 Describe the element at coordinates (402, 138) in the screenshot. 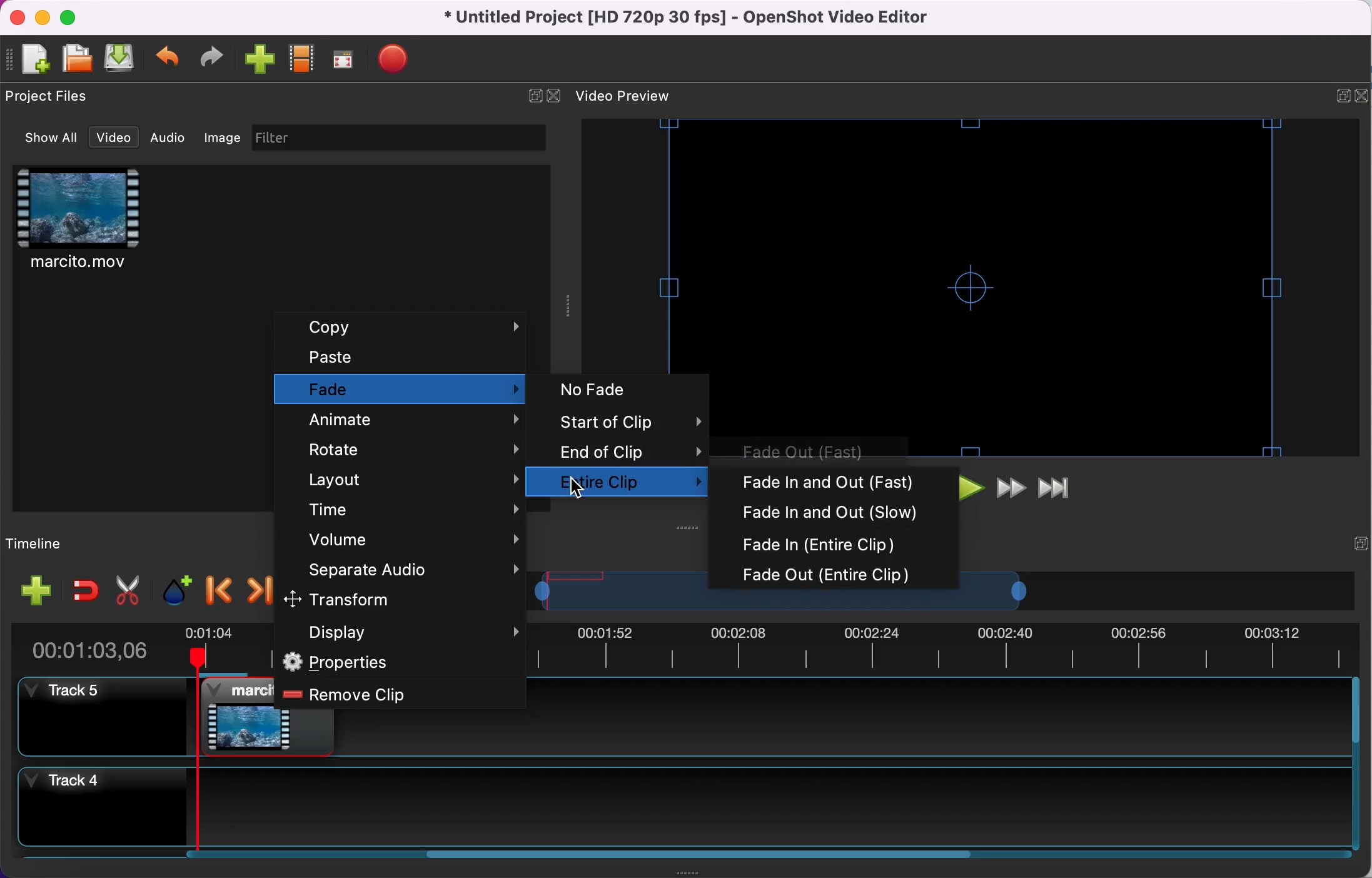

I see `filter` at that location.